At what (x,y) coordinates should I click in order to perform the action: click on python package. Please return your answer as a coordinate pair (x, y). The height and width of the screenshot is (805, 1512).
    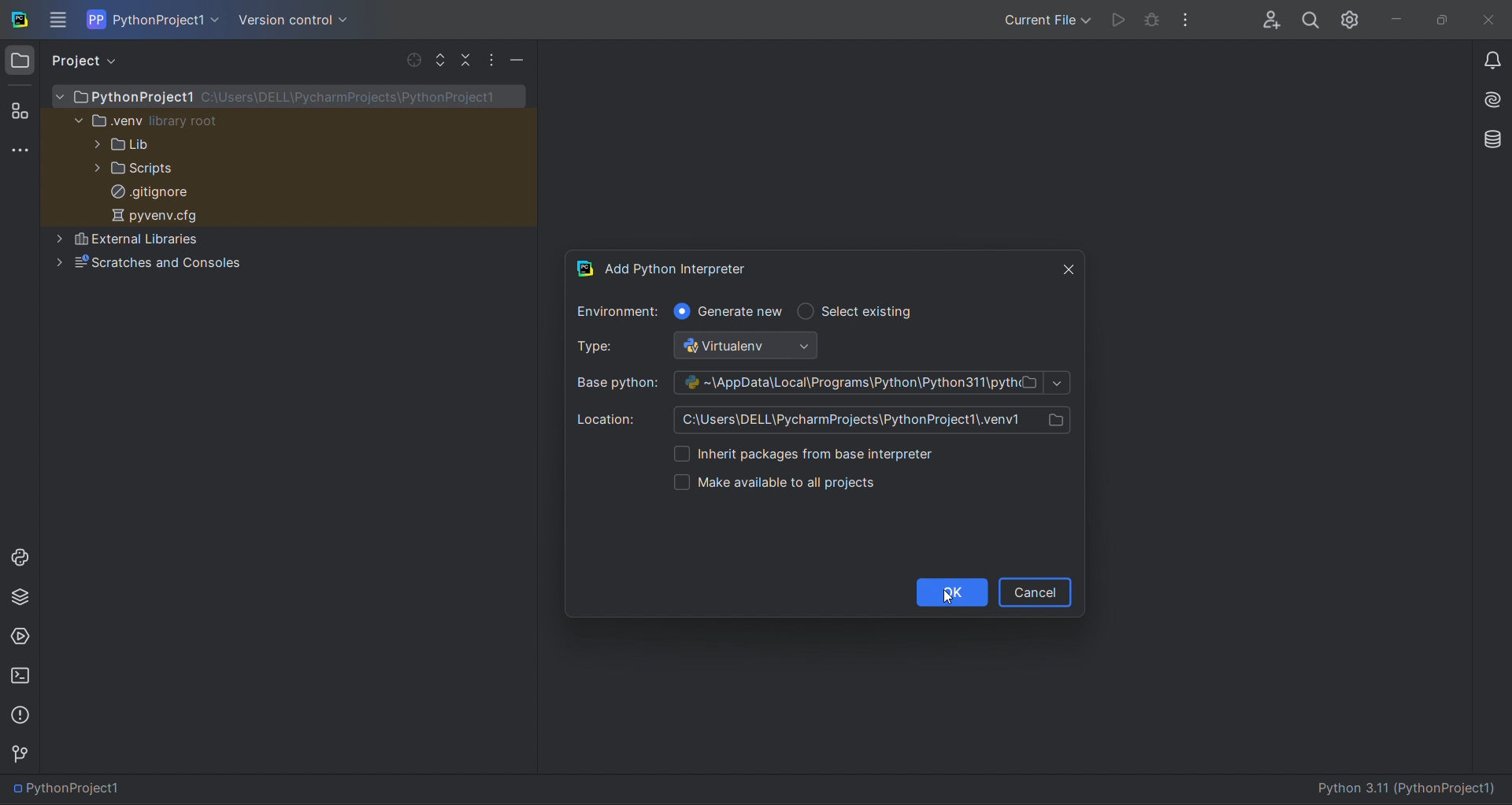
    Looking at the image, I should click on (20, 600).